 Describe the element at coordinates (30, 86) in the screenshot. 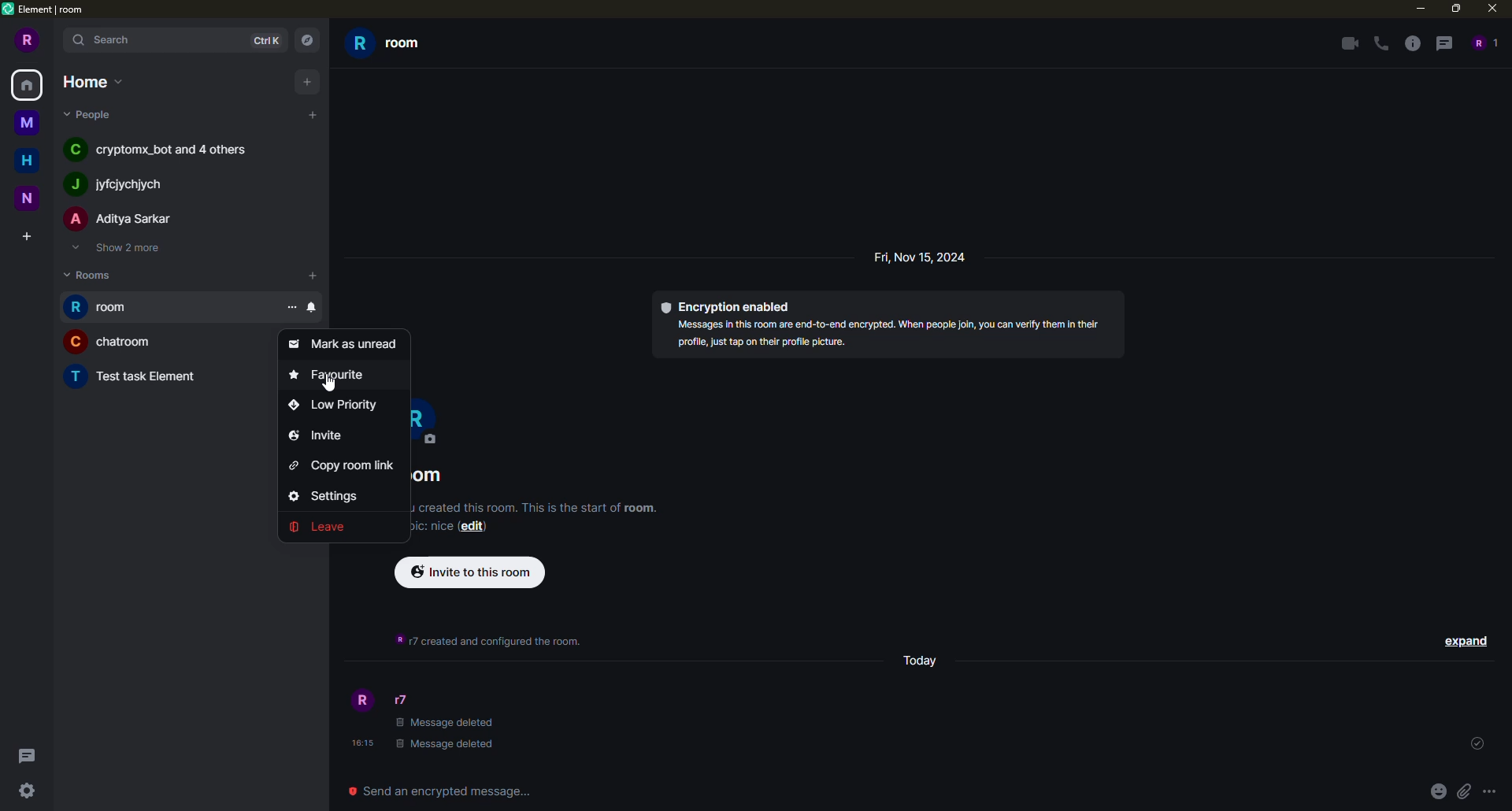

I see `home` at that location.